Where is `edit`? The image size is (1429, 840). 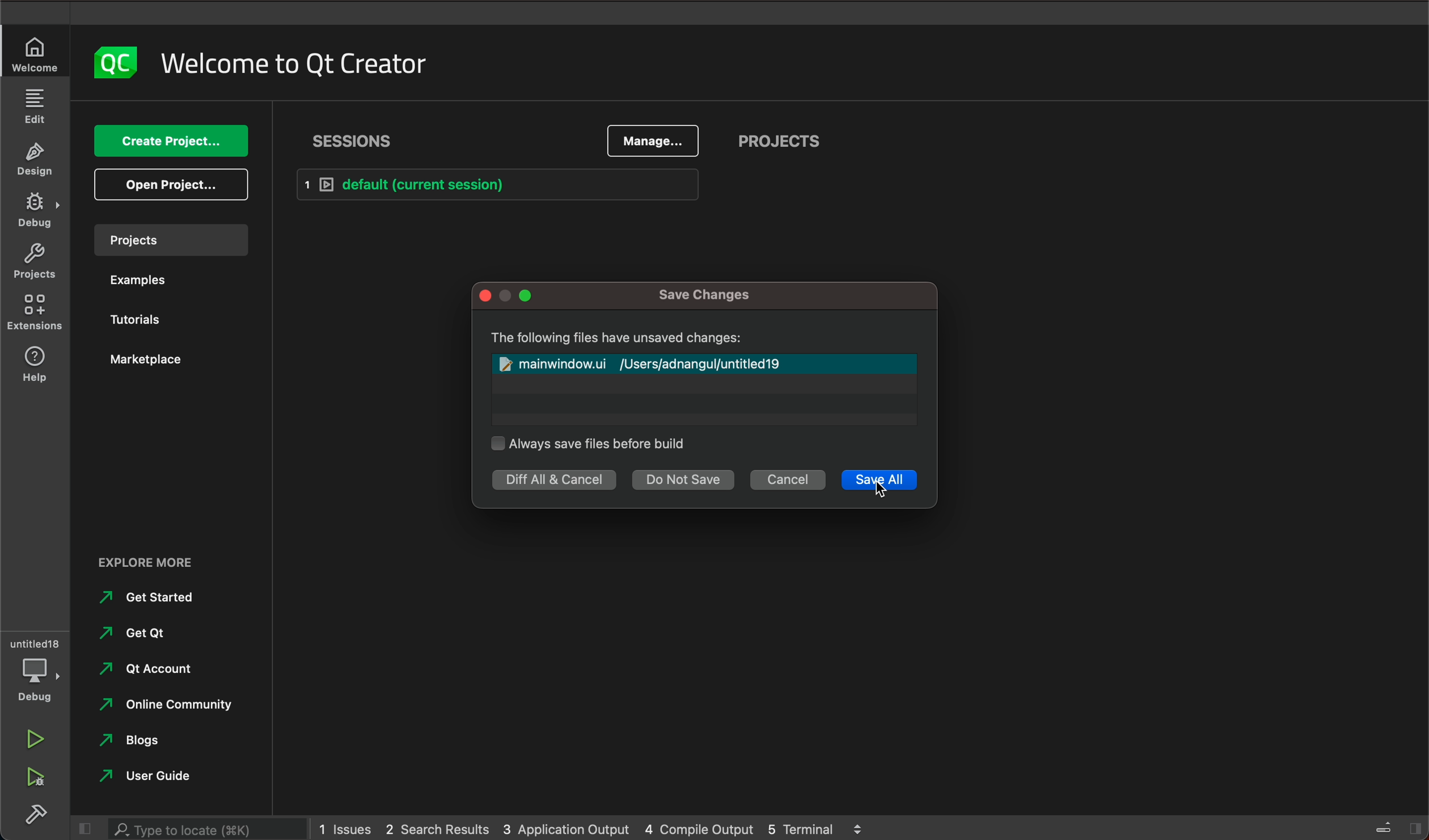
edit is located at coordinates (34, 106).